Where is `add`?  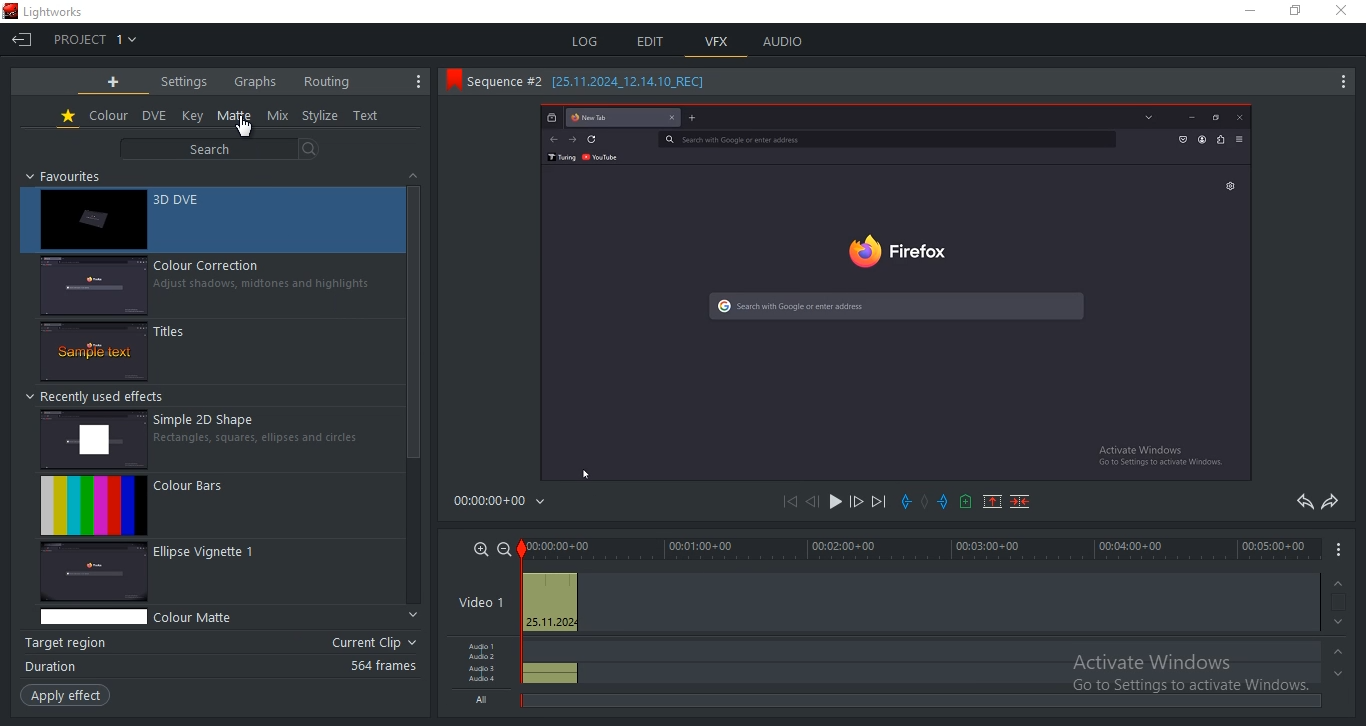 add is located at coordinates (114, 82).